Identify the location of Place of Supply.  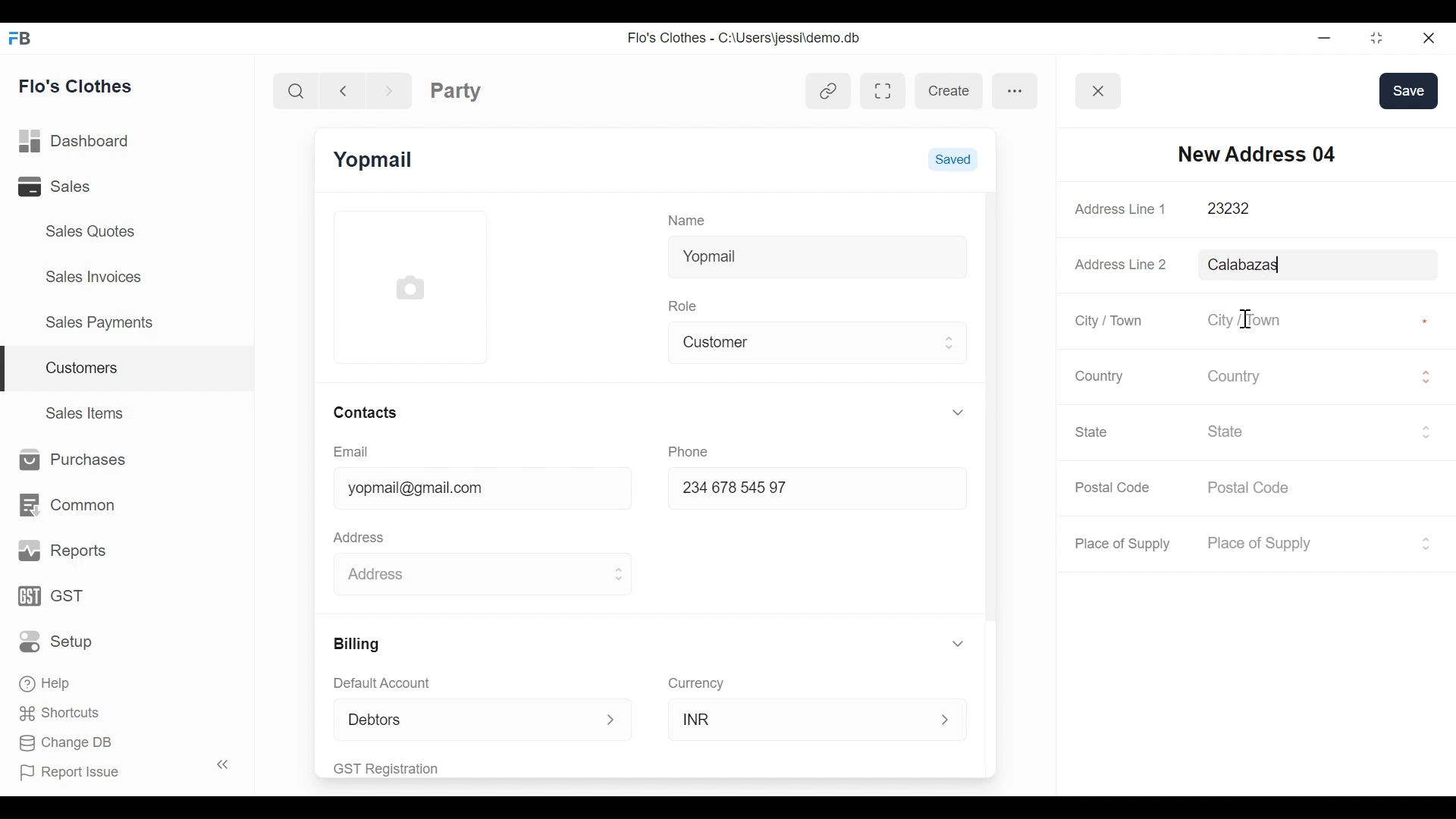
(1125, 544).